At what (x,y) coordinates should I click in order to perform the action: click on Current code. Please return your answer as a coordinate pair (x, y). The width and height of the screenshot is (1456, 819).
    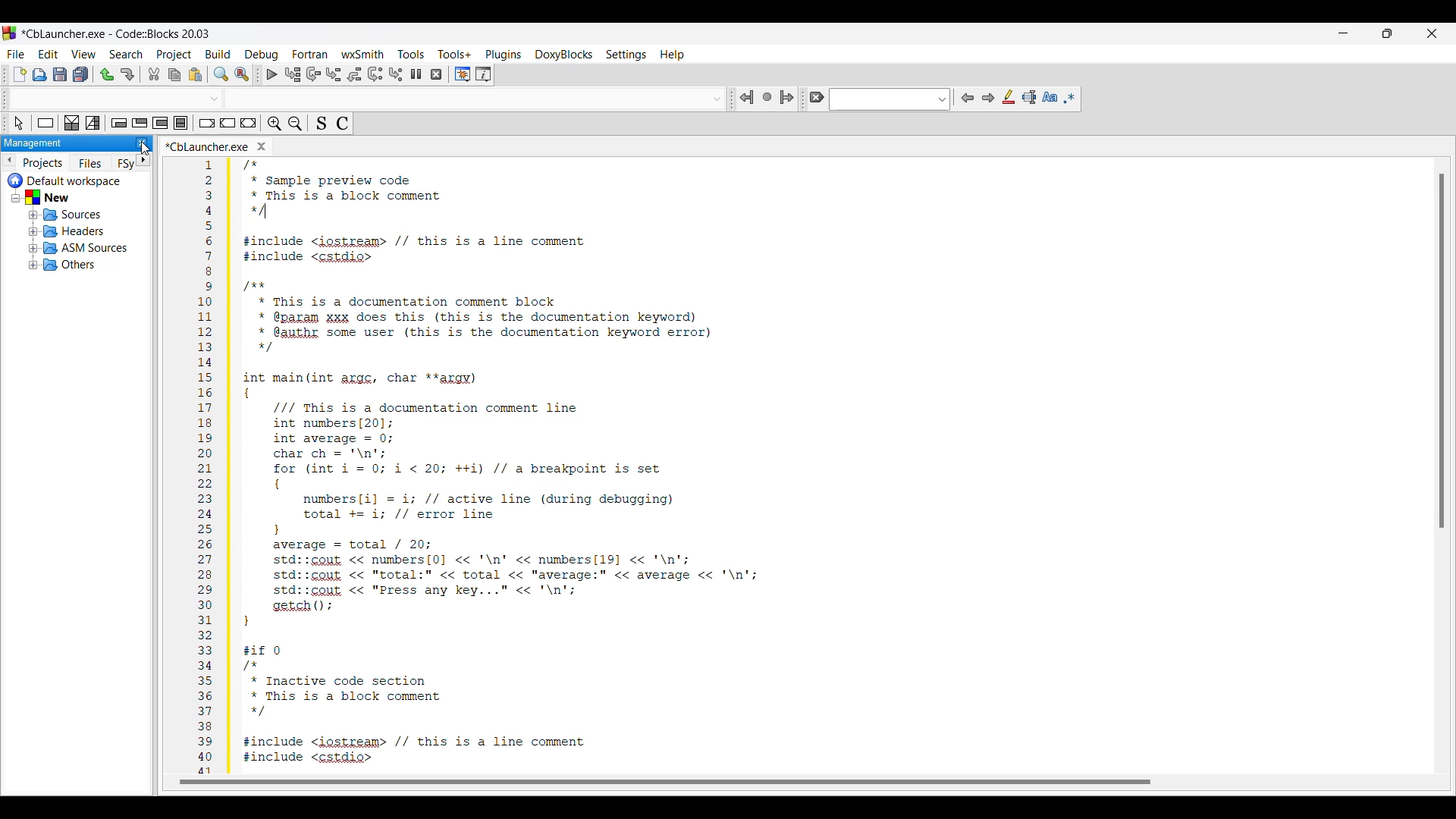
    Looking at the image, I should click on (675, 466).